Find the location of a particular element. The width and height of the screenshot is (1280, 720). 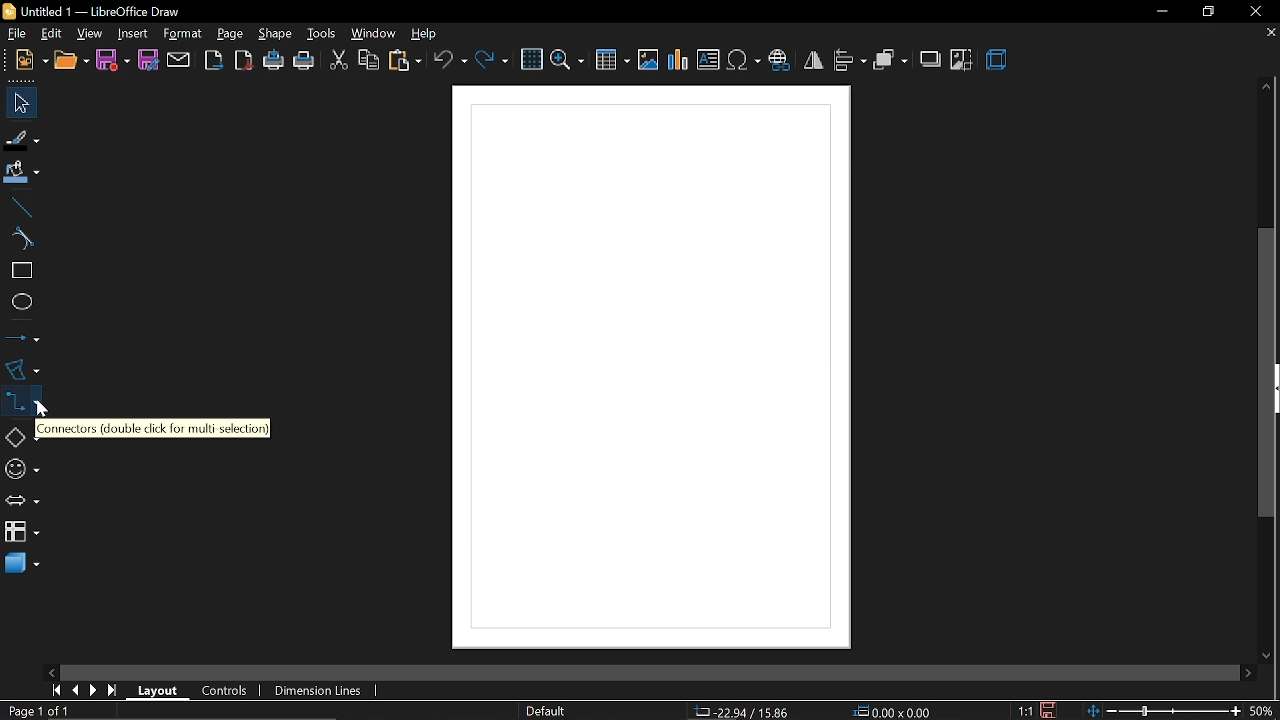

file is located at coordinates (13, 33).